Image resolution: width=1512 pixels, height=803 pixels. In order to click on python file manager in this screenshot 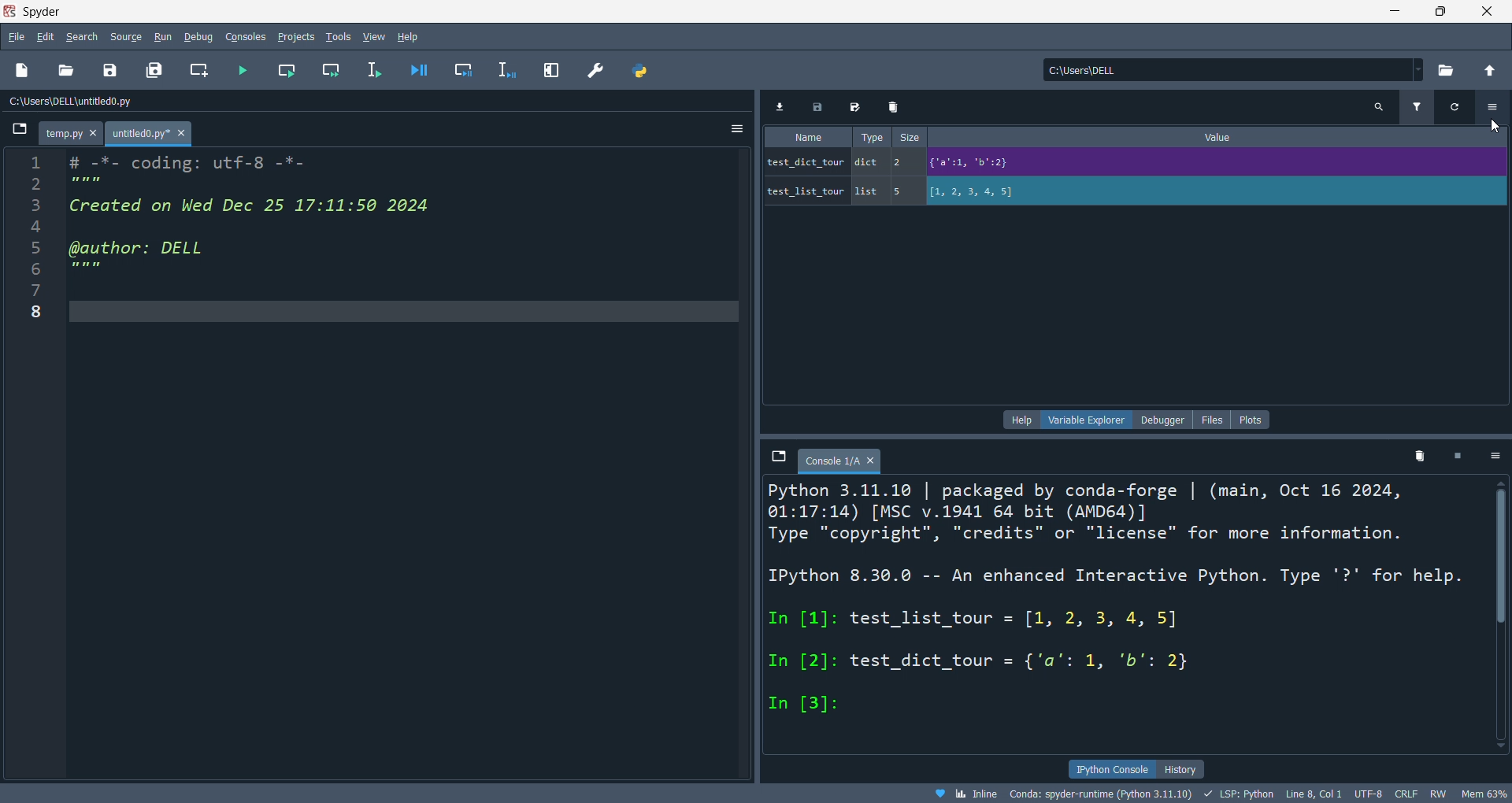, I will do `click(636, 68)`.